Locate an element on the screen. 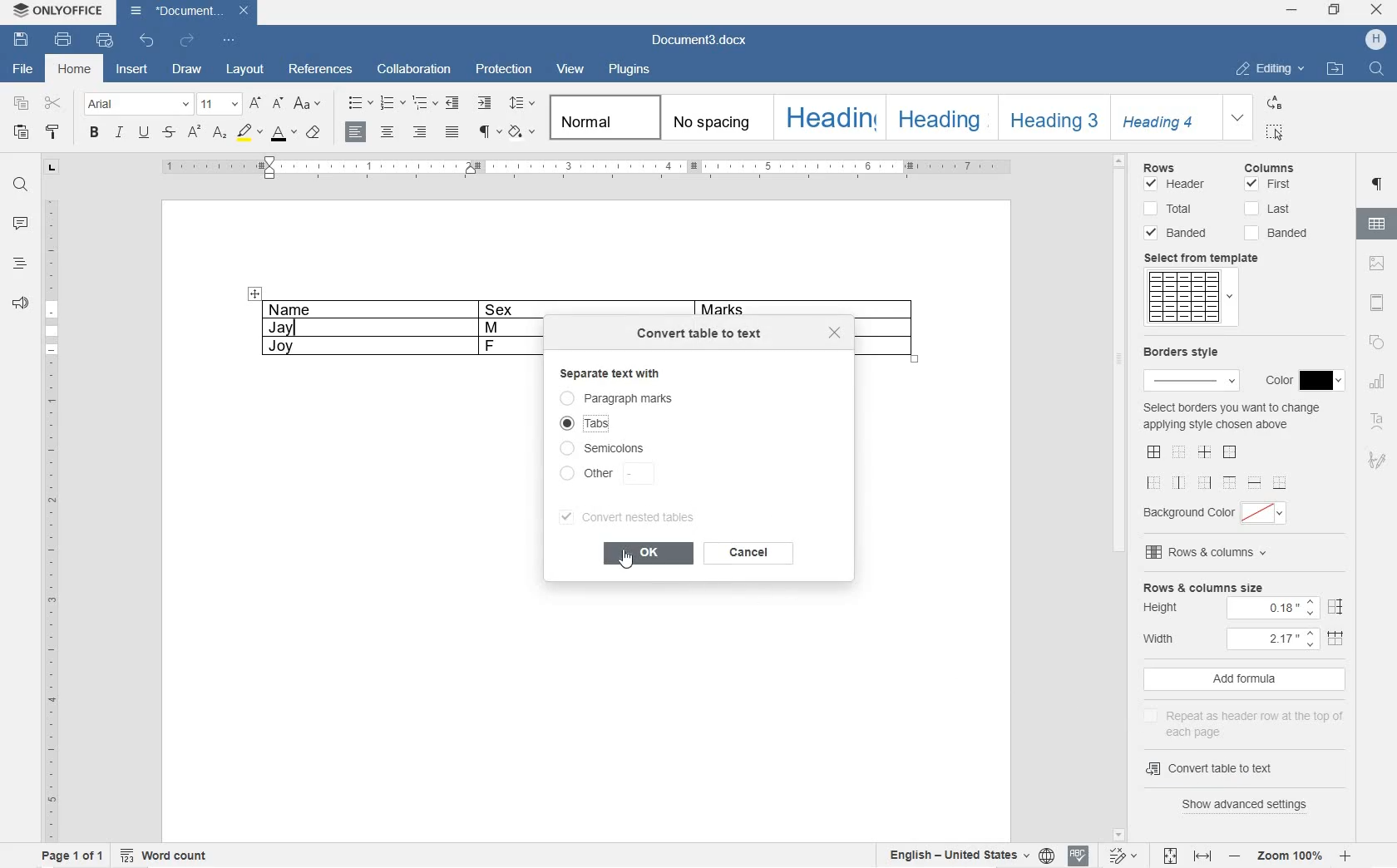  JUSTIFIED is located at coordinates (453, 132).